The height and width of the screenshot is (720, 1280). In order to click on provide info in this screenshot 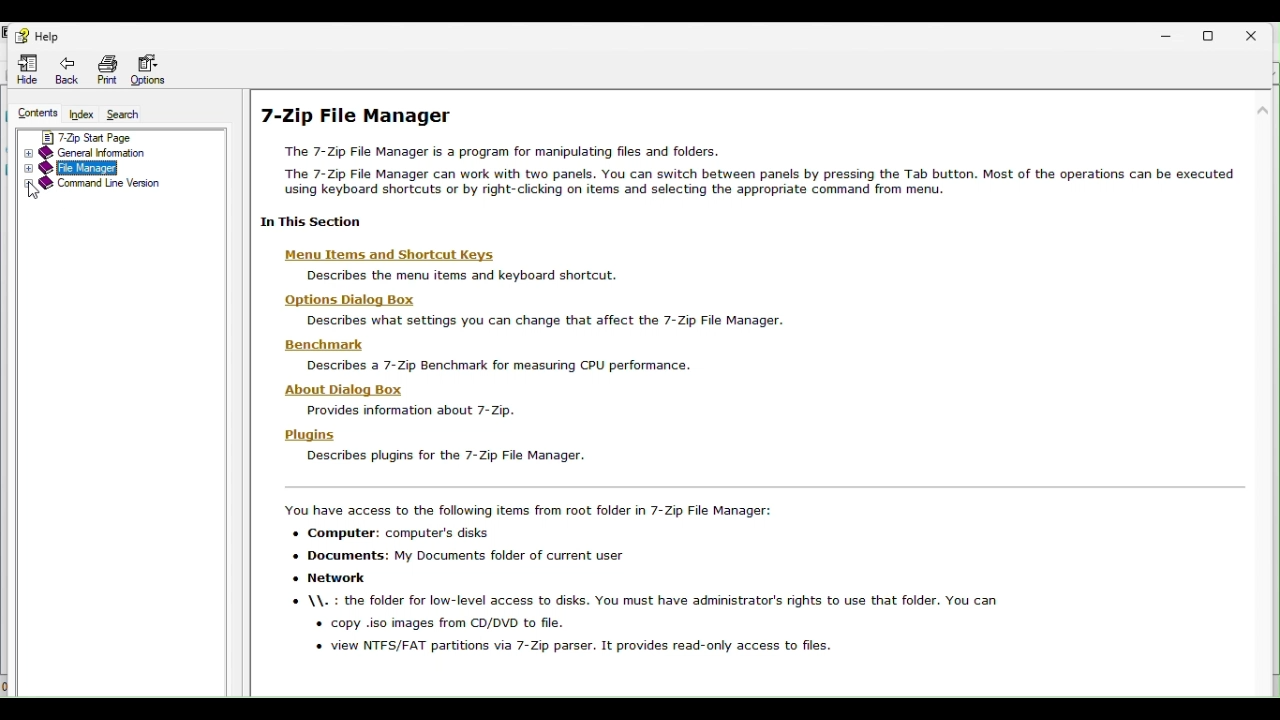, I will do `click(407, 412)`.